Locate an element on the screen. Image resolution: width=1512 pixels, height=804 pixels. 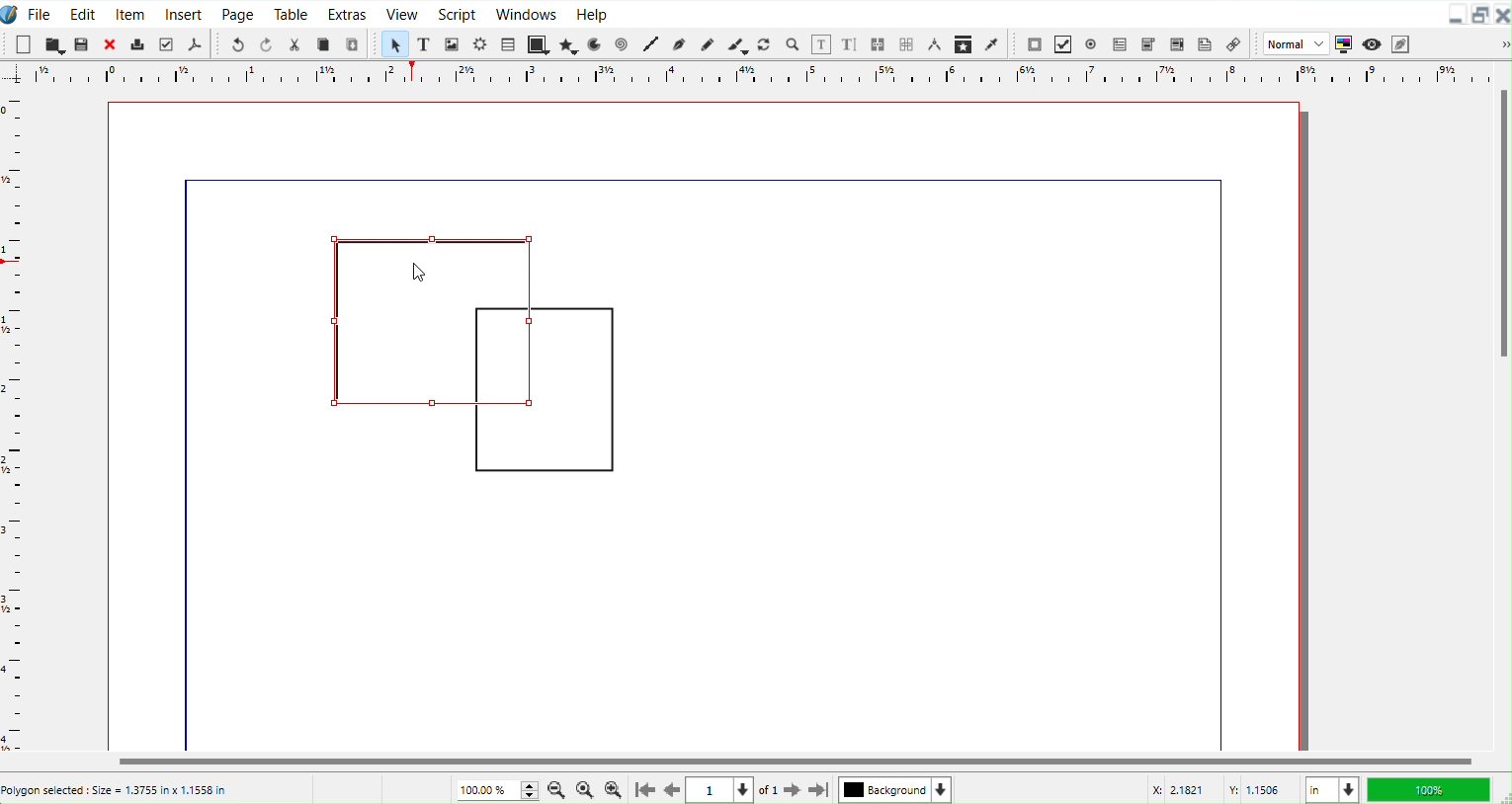
Zoom in or Out is located at coordinates (792, 44).